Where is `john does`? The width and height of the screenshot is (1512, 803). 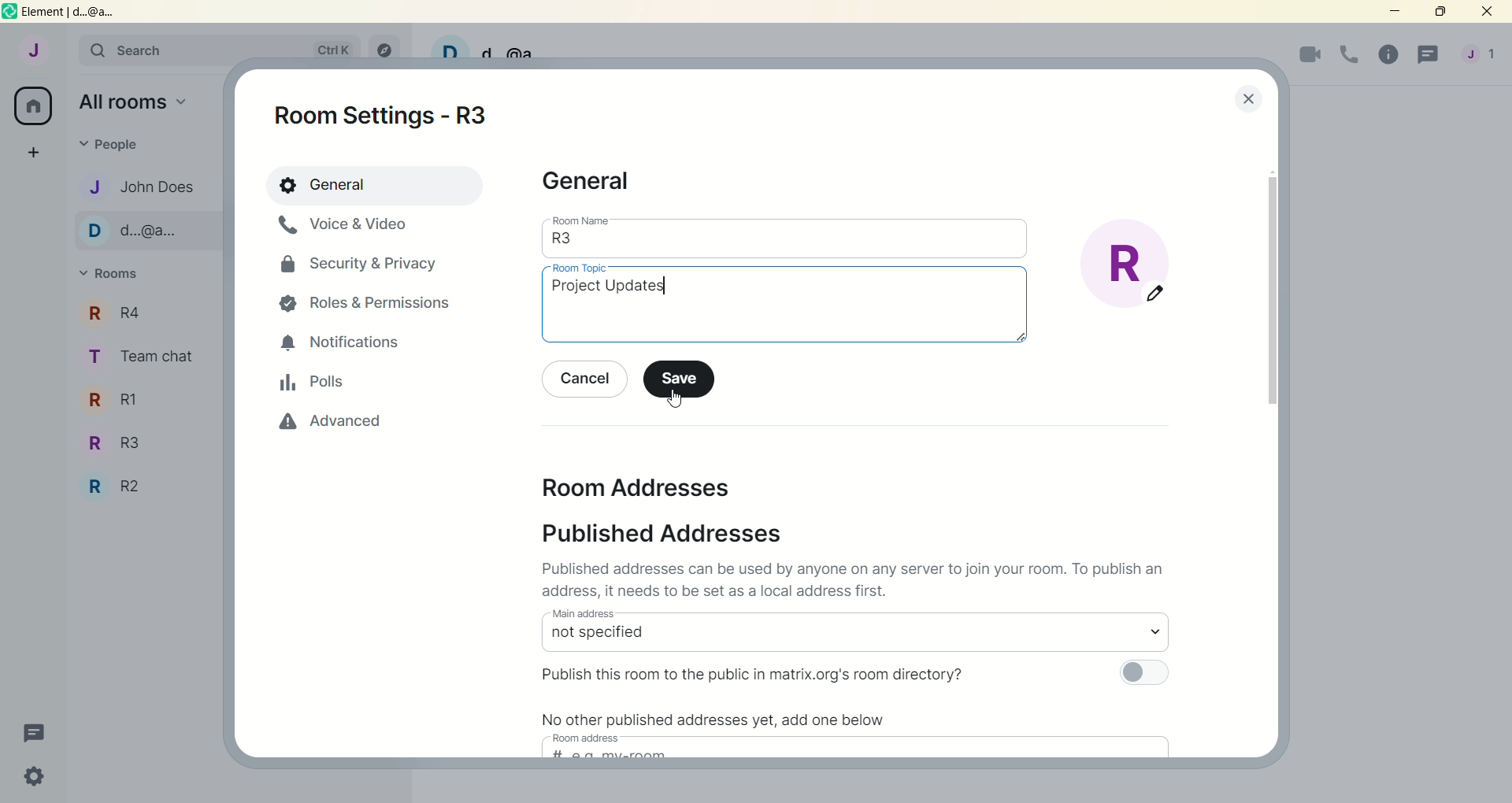 john does is located at coordinates (141, 185).